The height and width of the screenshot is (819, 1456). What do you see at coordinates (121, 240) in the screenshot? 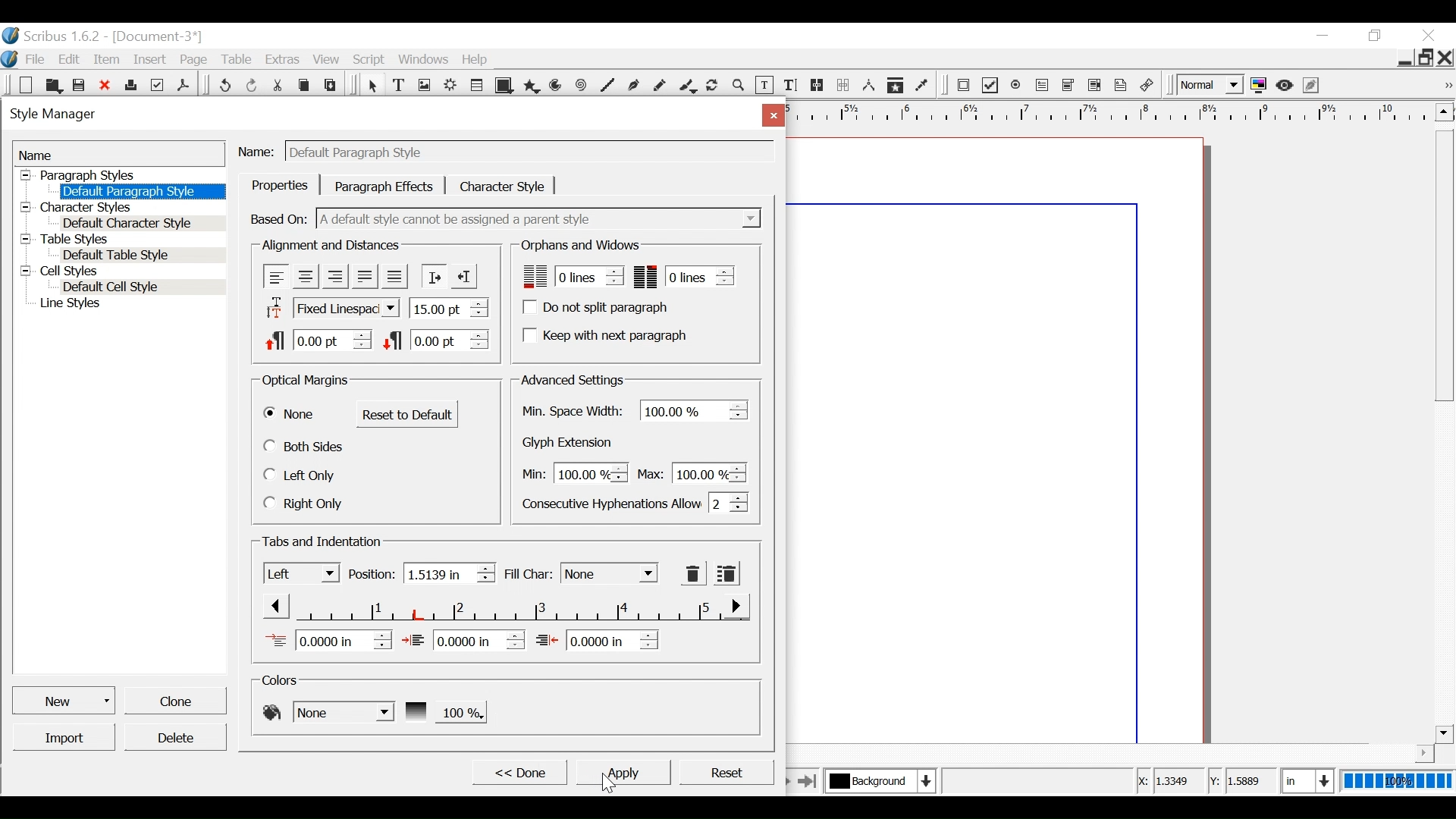
I see `Table Styles` at bounding box center [121, 240].